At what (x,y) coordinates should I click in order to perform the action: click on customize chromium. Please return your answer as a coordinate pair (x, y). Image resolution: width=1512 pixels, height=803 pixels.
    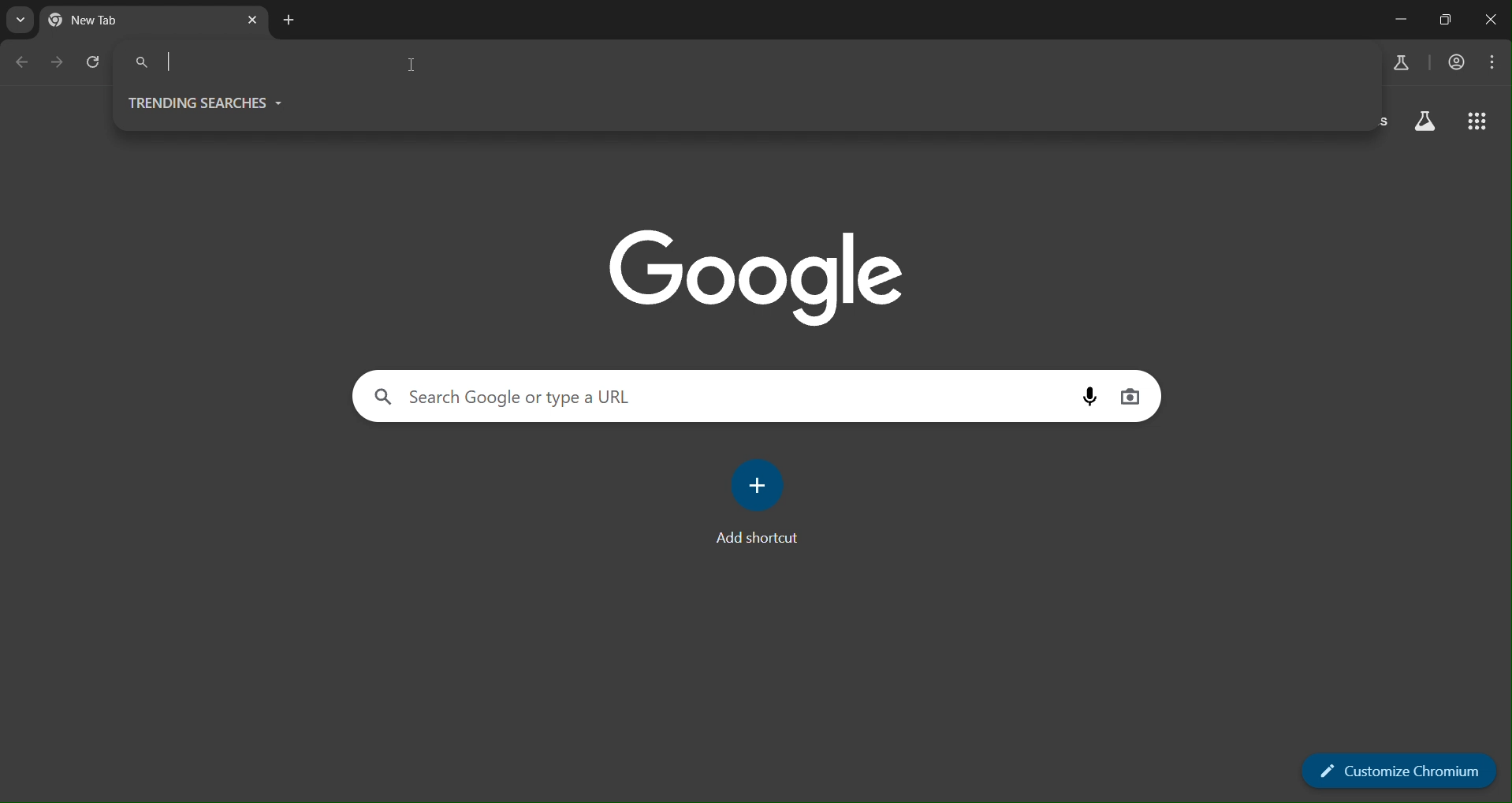
    Looking at the image, I should click on (1398, 771).